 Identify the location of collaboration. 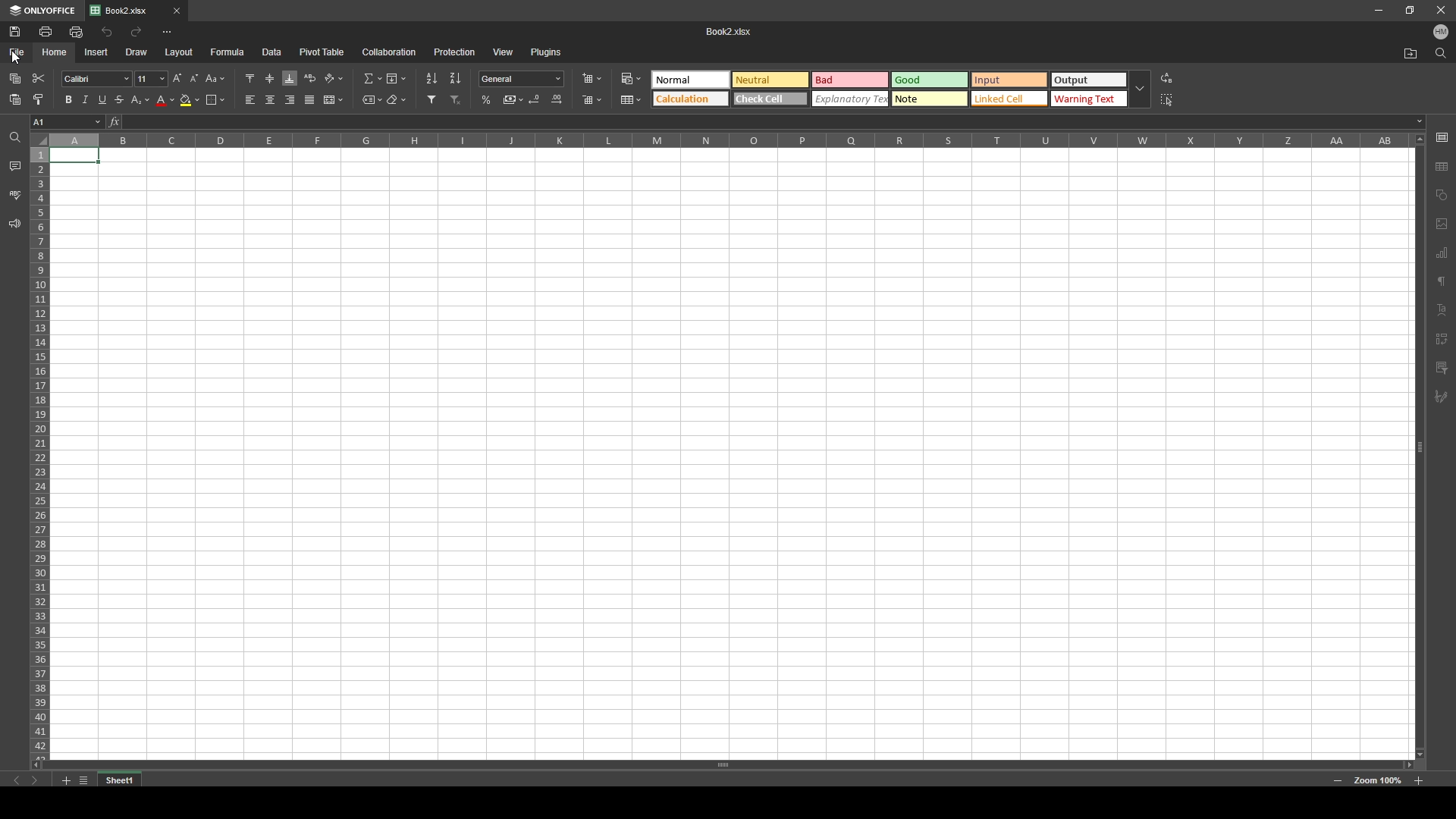
(391, 52).